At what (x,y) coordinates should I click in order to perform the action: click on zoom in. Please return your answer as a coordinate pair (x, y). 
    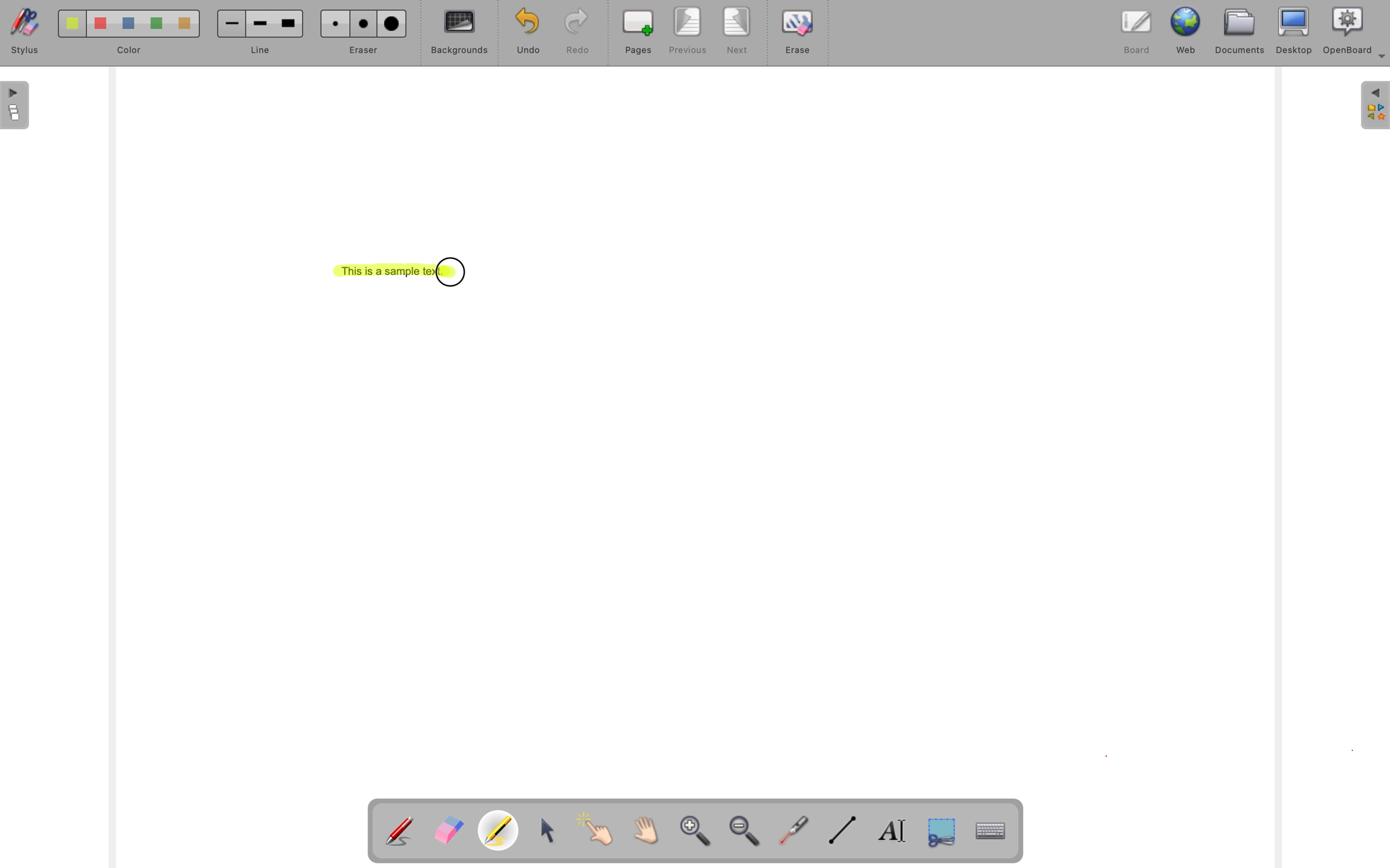
    Looking at the image, I should click on (698, 831).